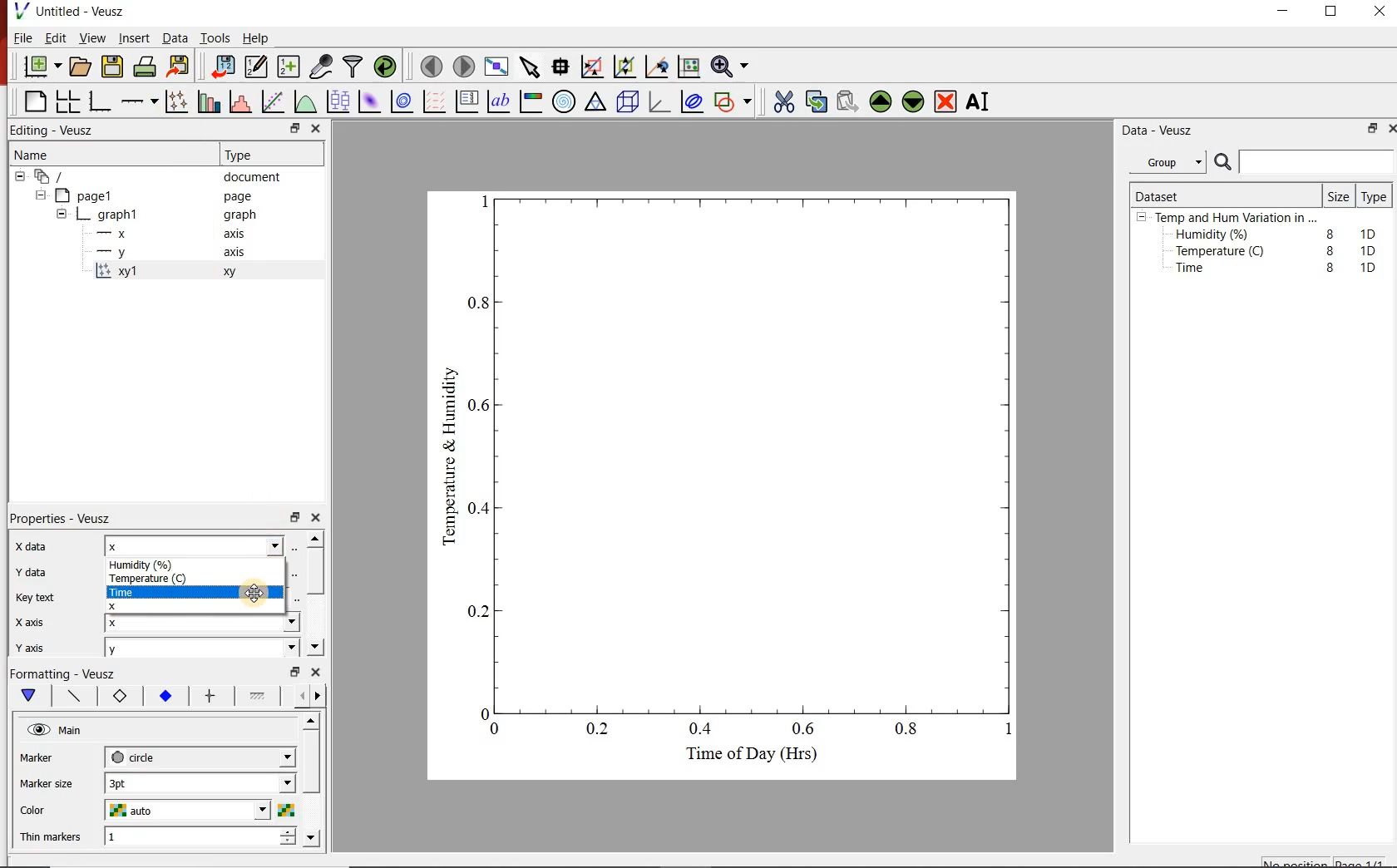 The image size is (1397, 868). What do you see at coordinates (287, 846) in the screenshot?
I see `decrease` at bounding box center [287, 846].